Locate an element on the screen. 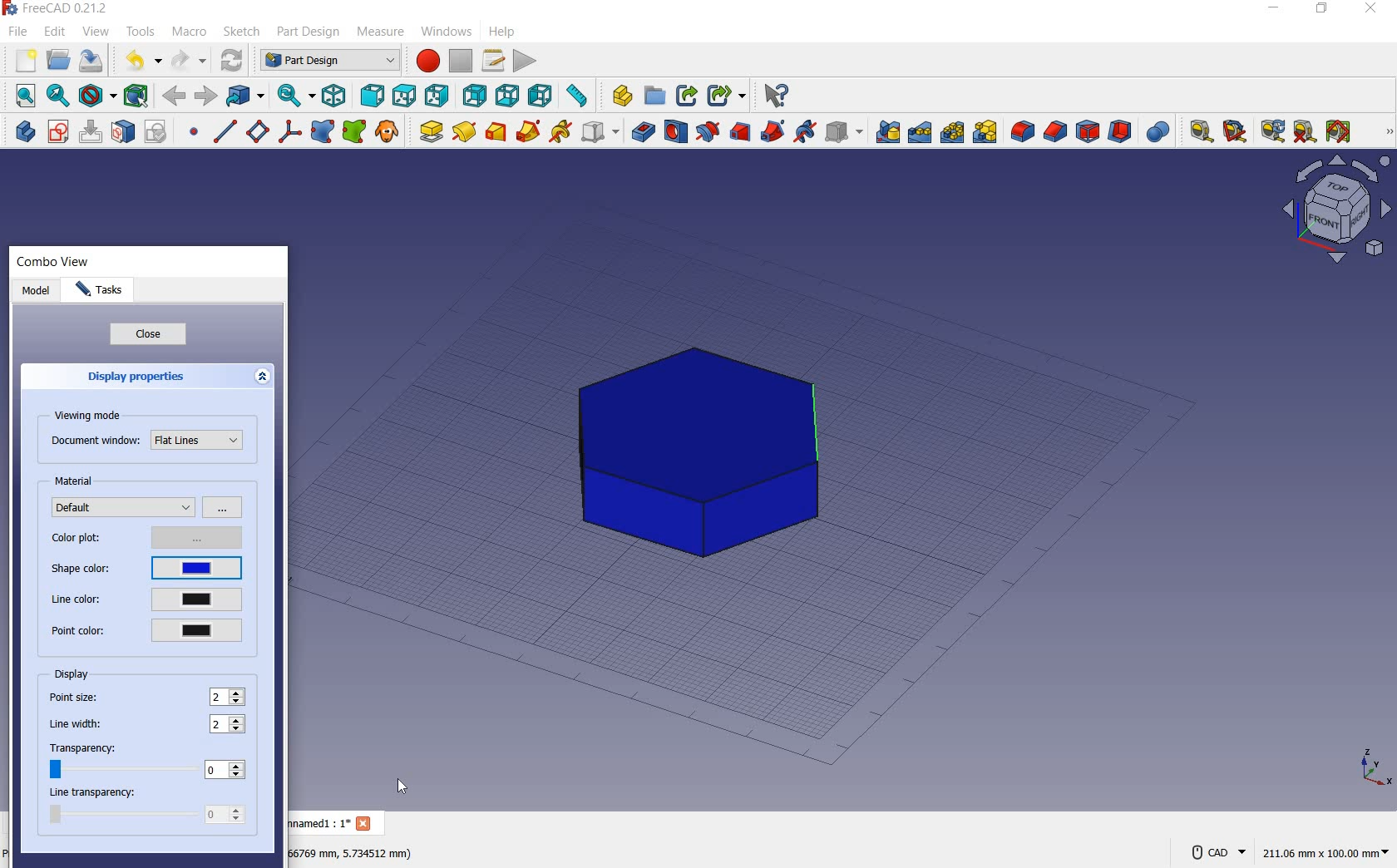 The image size is (1397, 868). additive pipe is located at coordinates (529, 131).